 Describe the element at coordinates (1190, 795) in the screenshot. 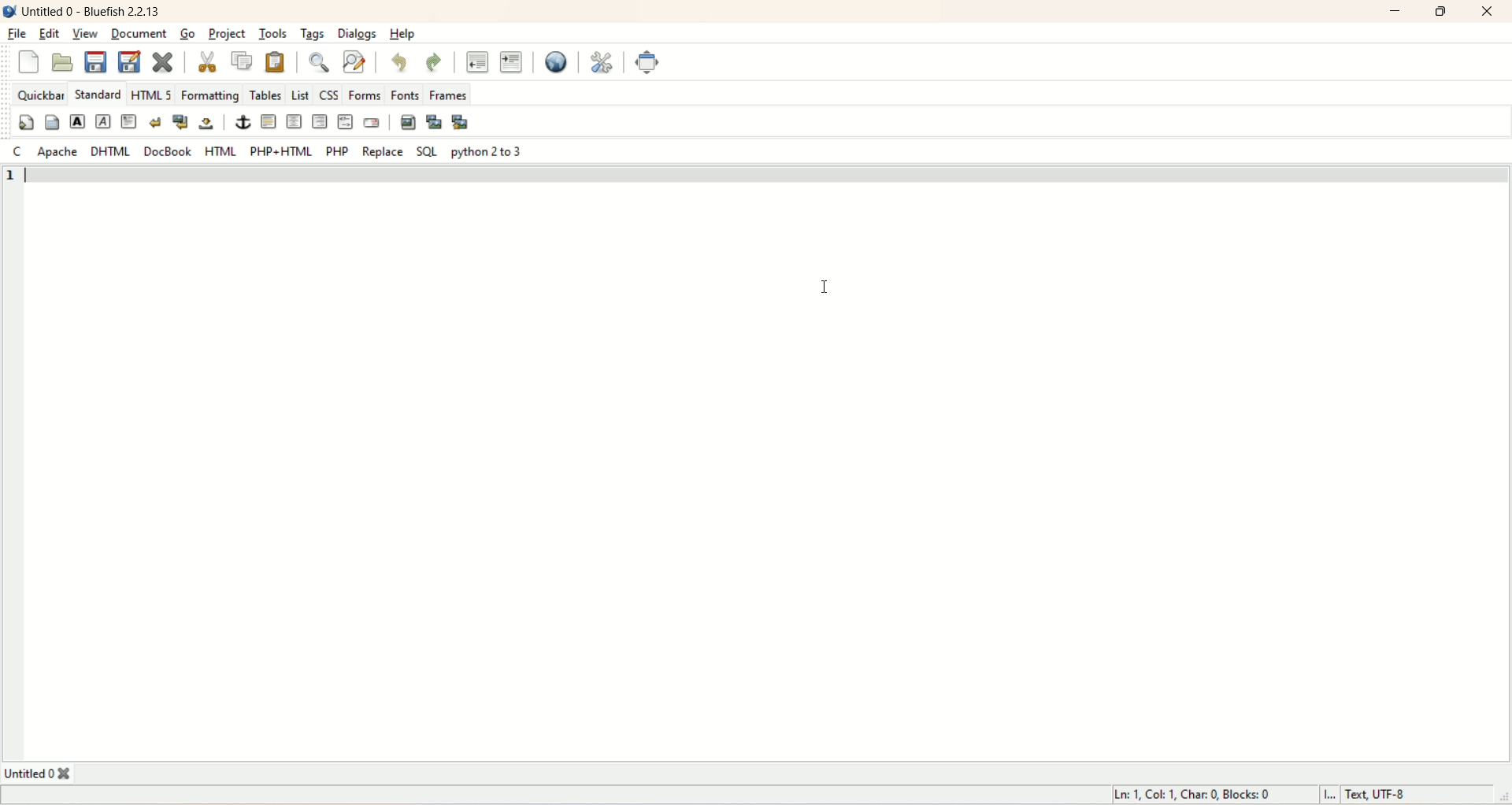

I see `ln, col, char, blocks` at that location.